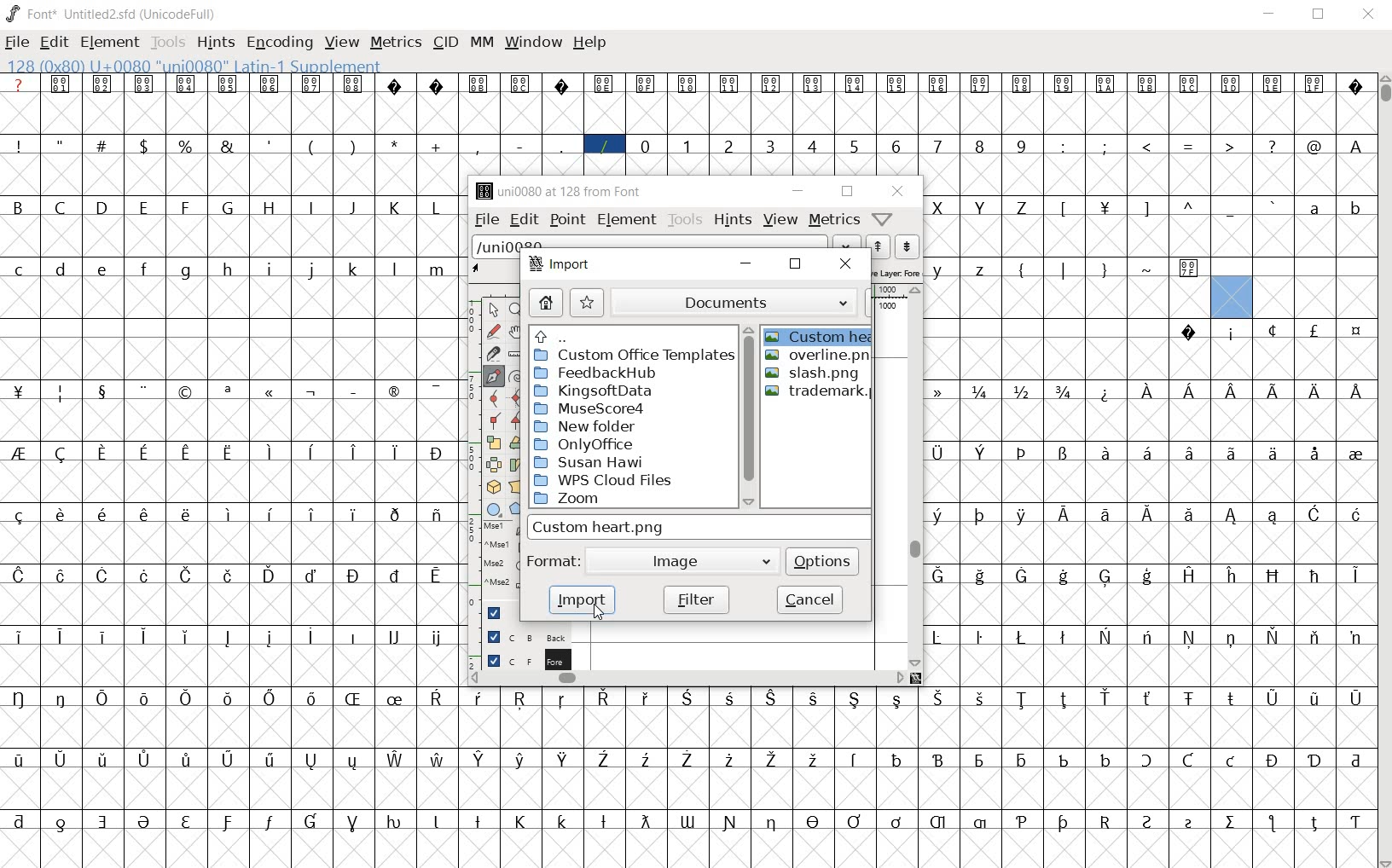  Describe the element at coordinates (493, 452) in the screenshot. I see `editing tools` at that location.